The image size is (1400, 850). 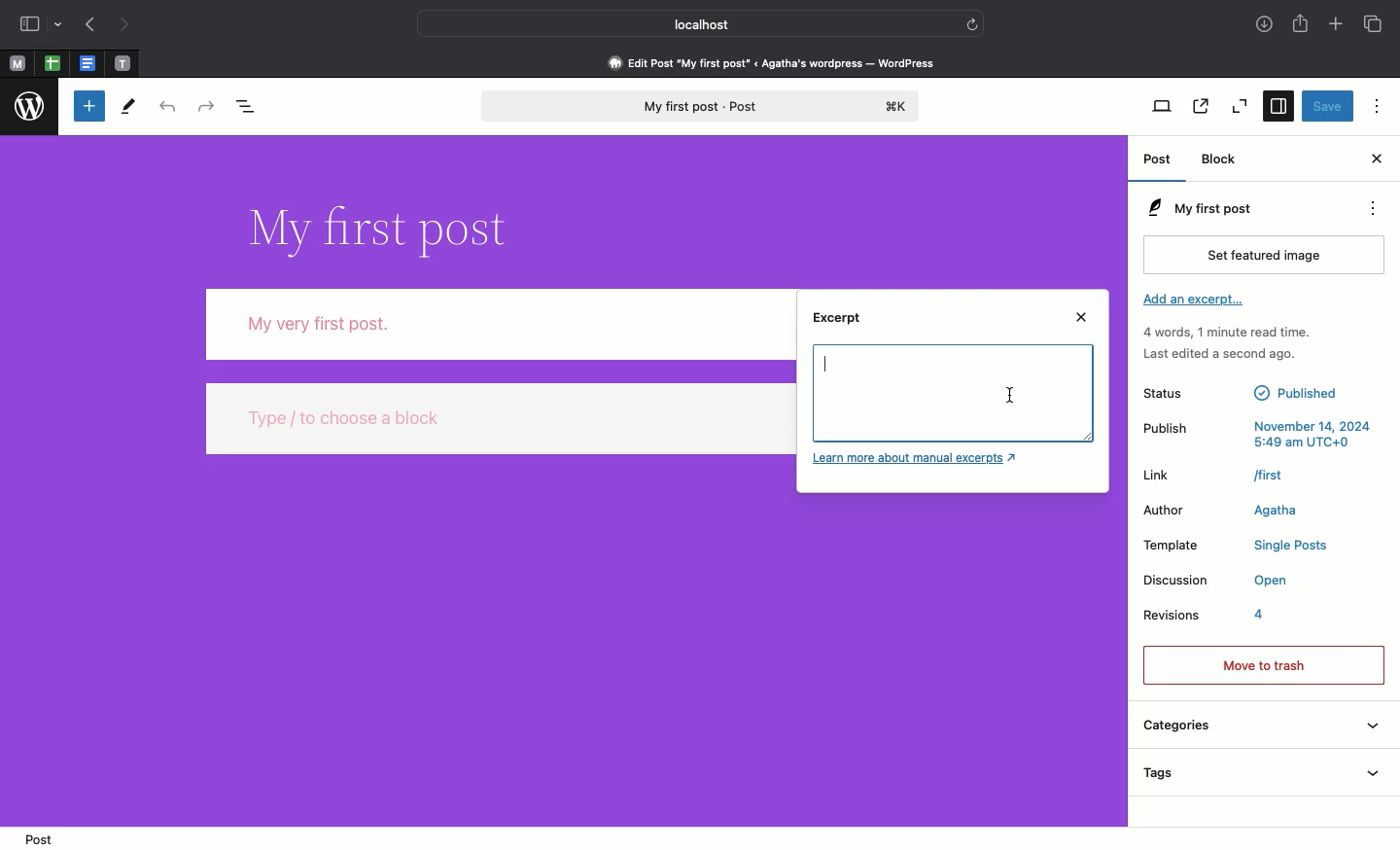 What do you see at coordinates (1160, 162) in the screenshot?
I see `Post` at bounding box center [1160, 162].